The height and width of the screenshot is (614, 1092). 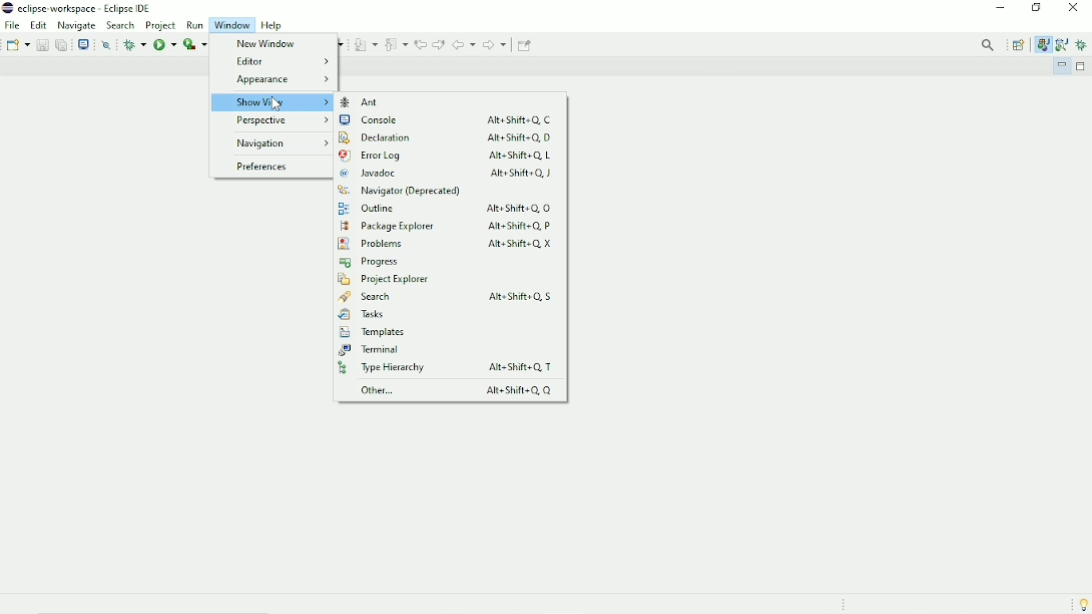 I want to click on Pin Editor, so click(x=526, y=44).